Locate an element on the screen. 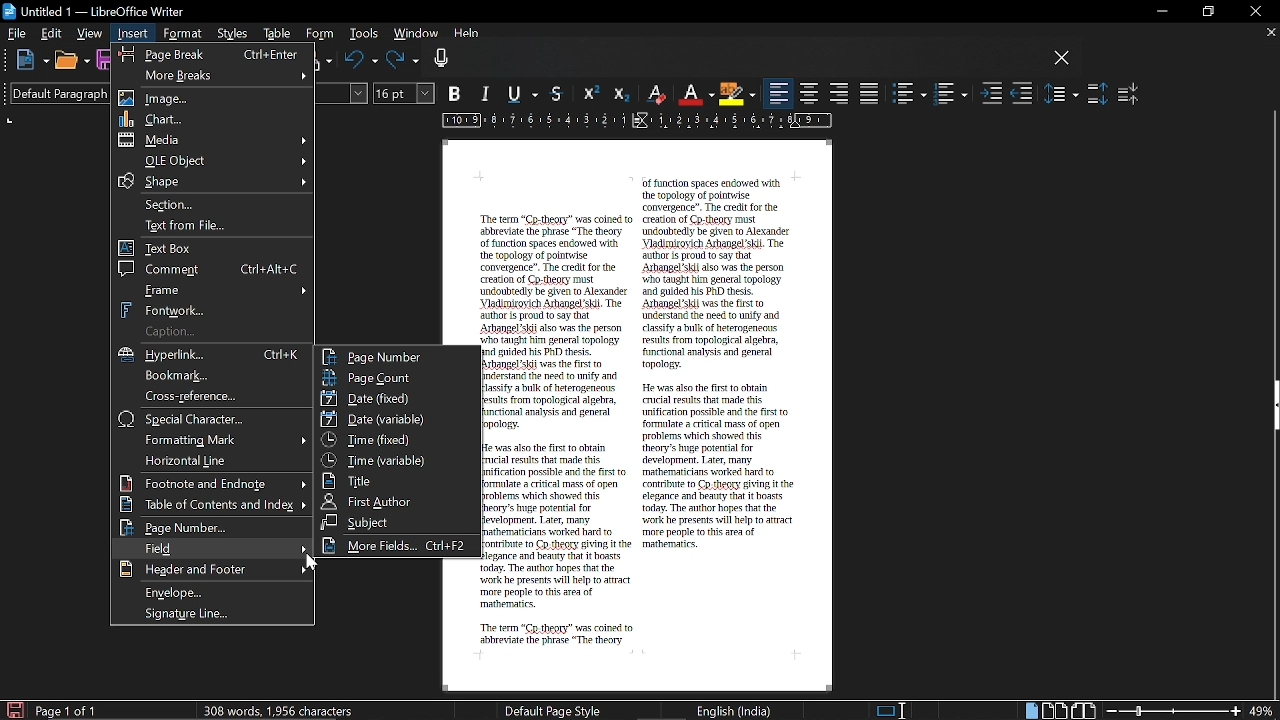  Time fixed is located at coordinates (395, 439).